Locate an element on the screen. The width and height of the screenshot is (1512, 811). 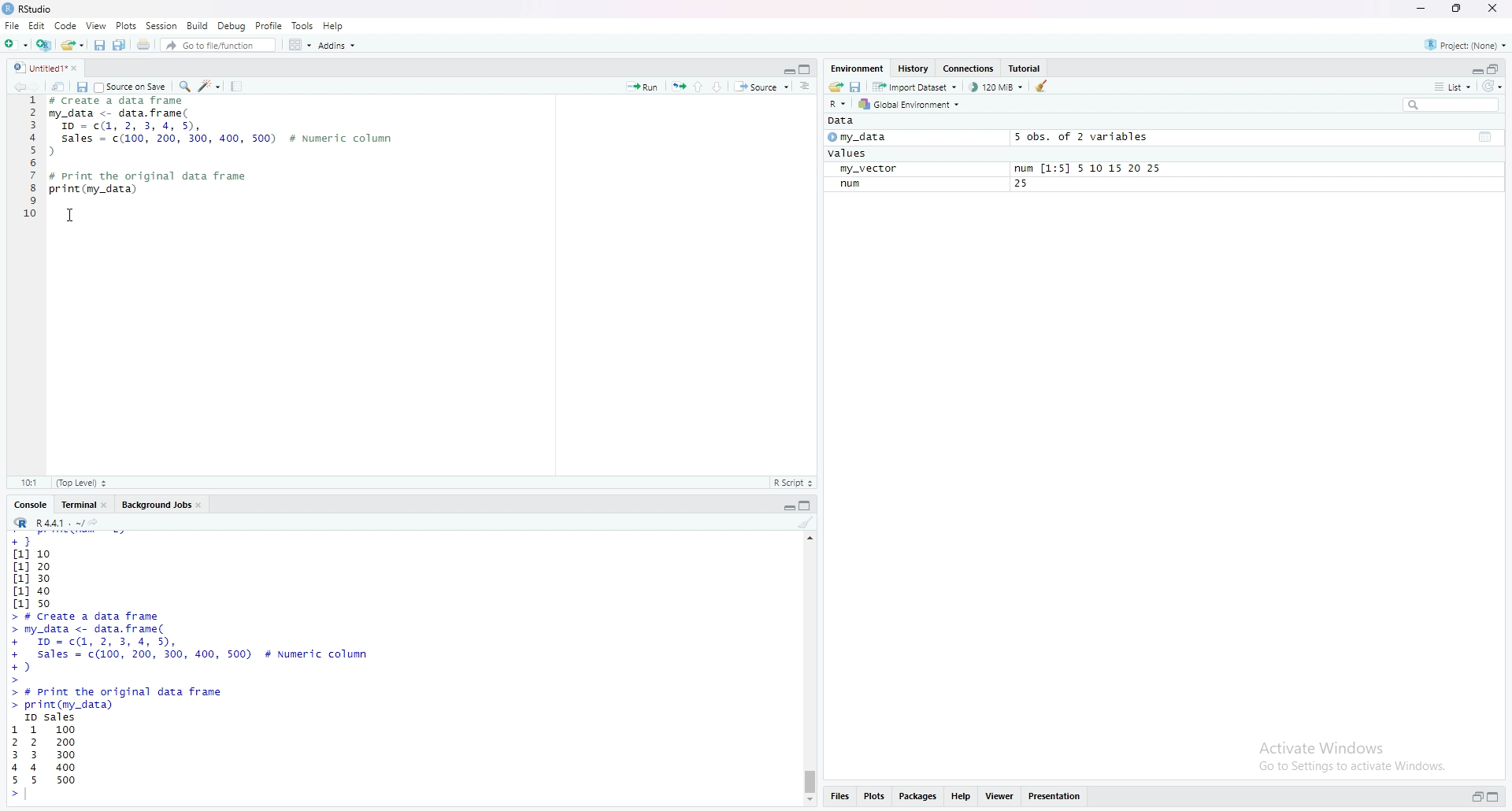
files is located at coordinates (844, 798).